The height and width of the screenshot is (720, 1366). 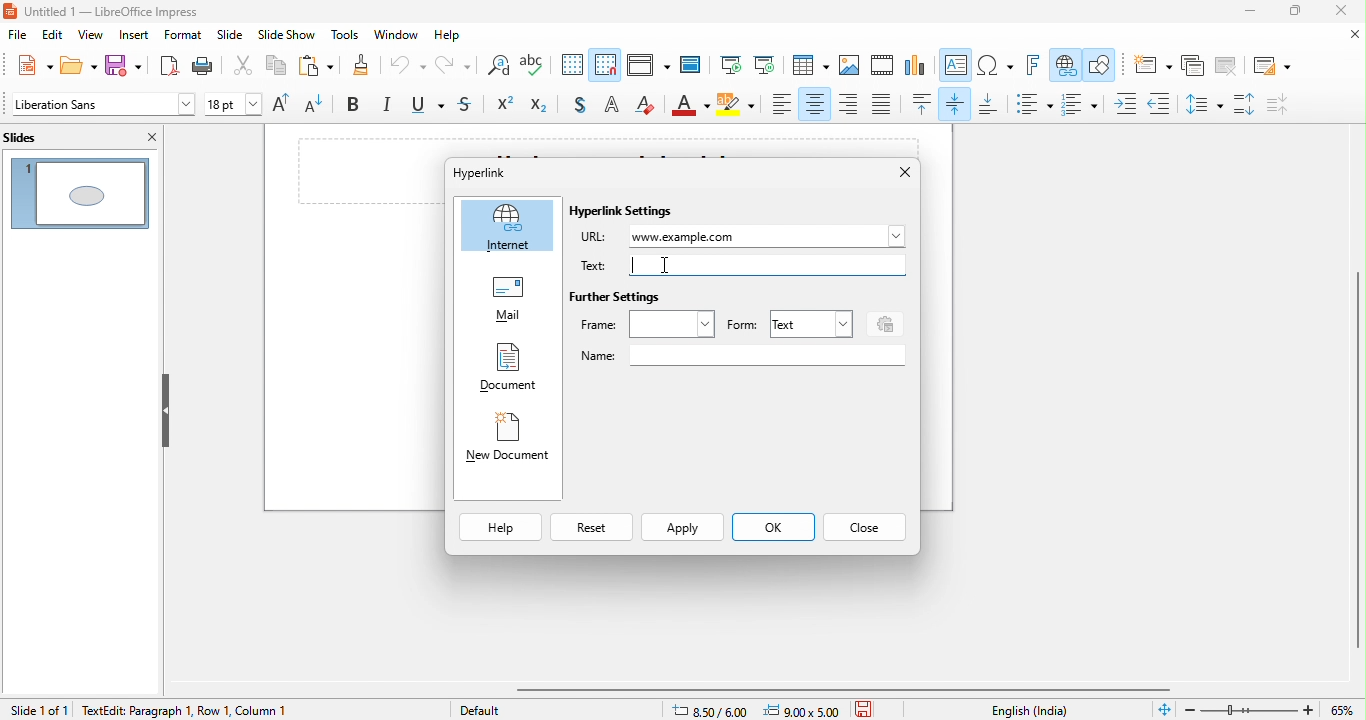 What do you see at coordinates (1164, 710) in the screenshot?
I see `fit slide to fit window` at bounding box center [1164, 710].